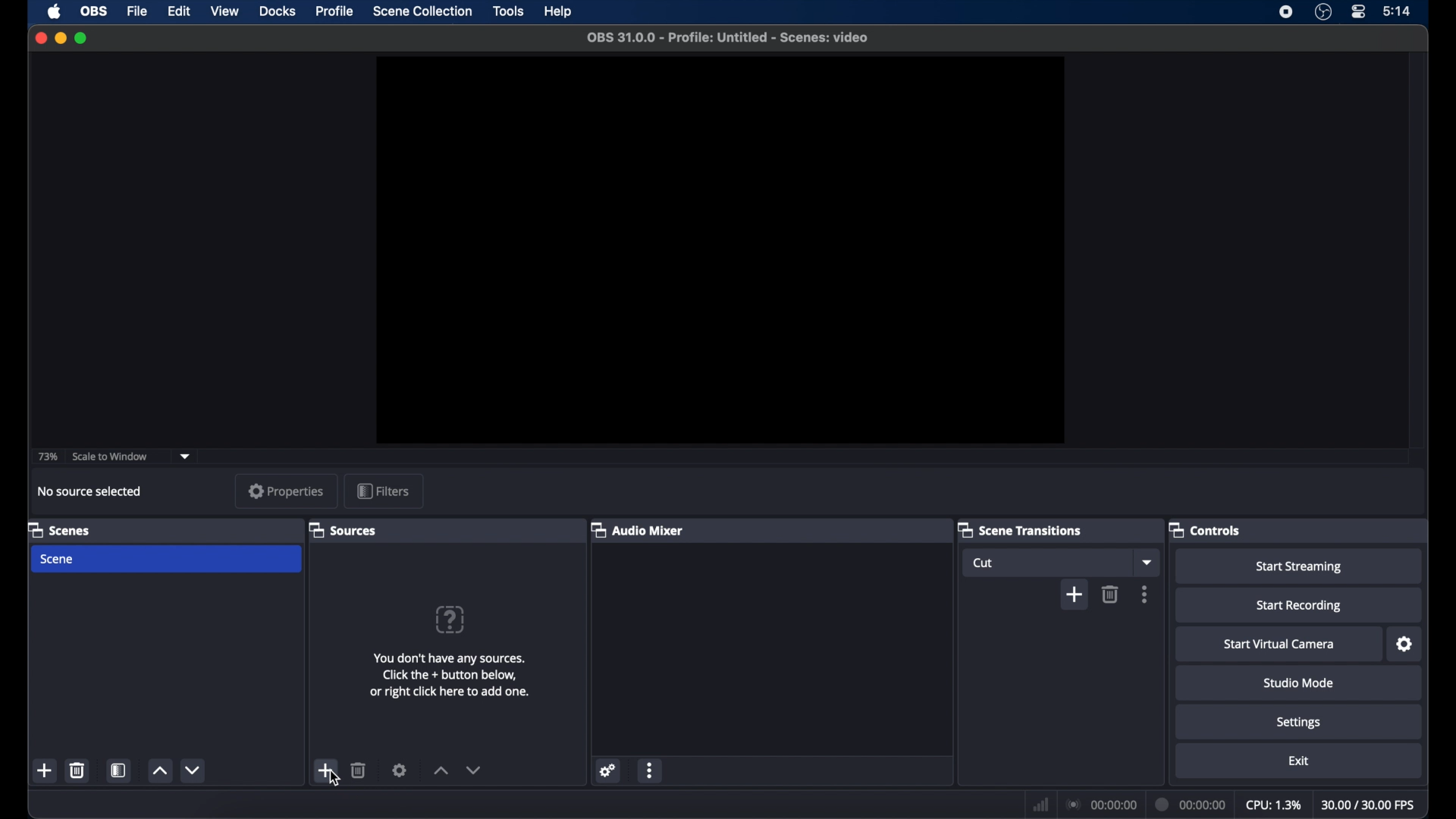 The height and width of the screenshot is (819, 1456). I want to click on start streaming, so click(1300, 567).